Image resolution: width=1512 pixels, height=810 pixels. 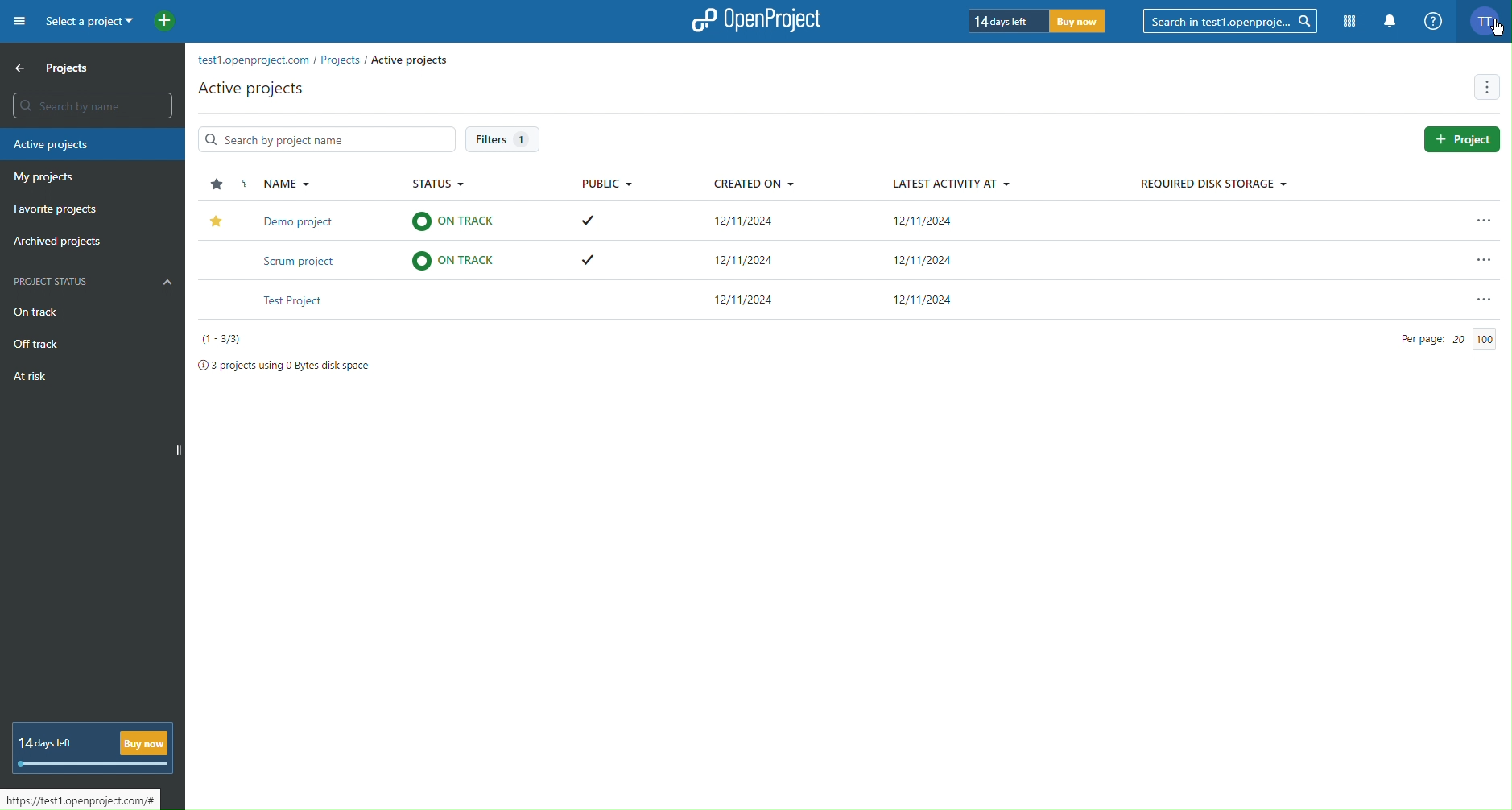 What do you see at coordinates (213, 185) in the screenshot?
I see `Star` at bounding box center [213, 185].